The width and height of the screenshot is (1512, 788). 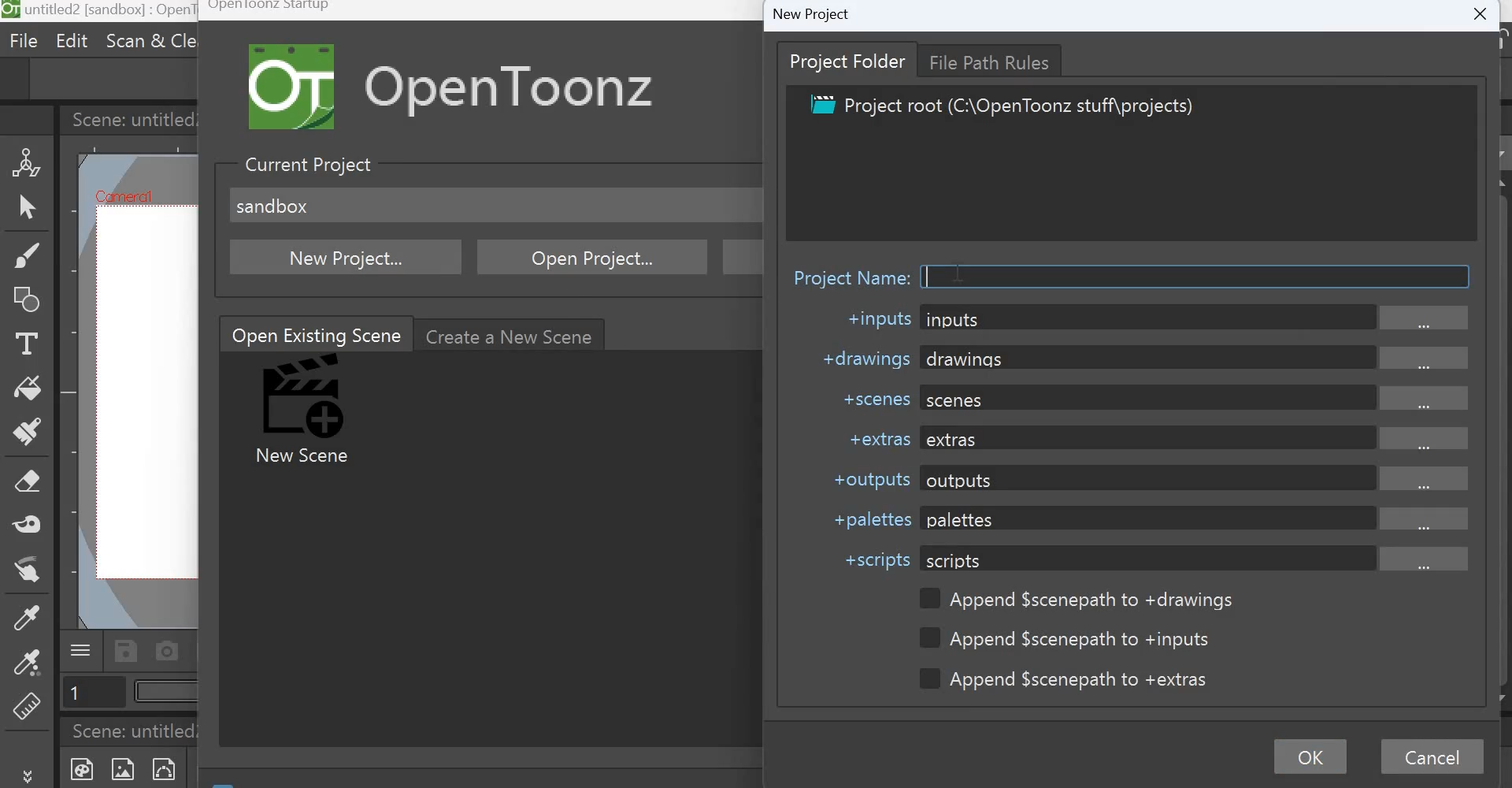 What do you see at coordinates (871, 439) in the screenshot?
I see `+extras` at bounding box center [871, 439].